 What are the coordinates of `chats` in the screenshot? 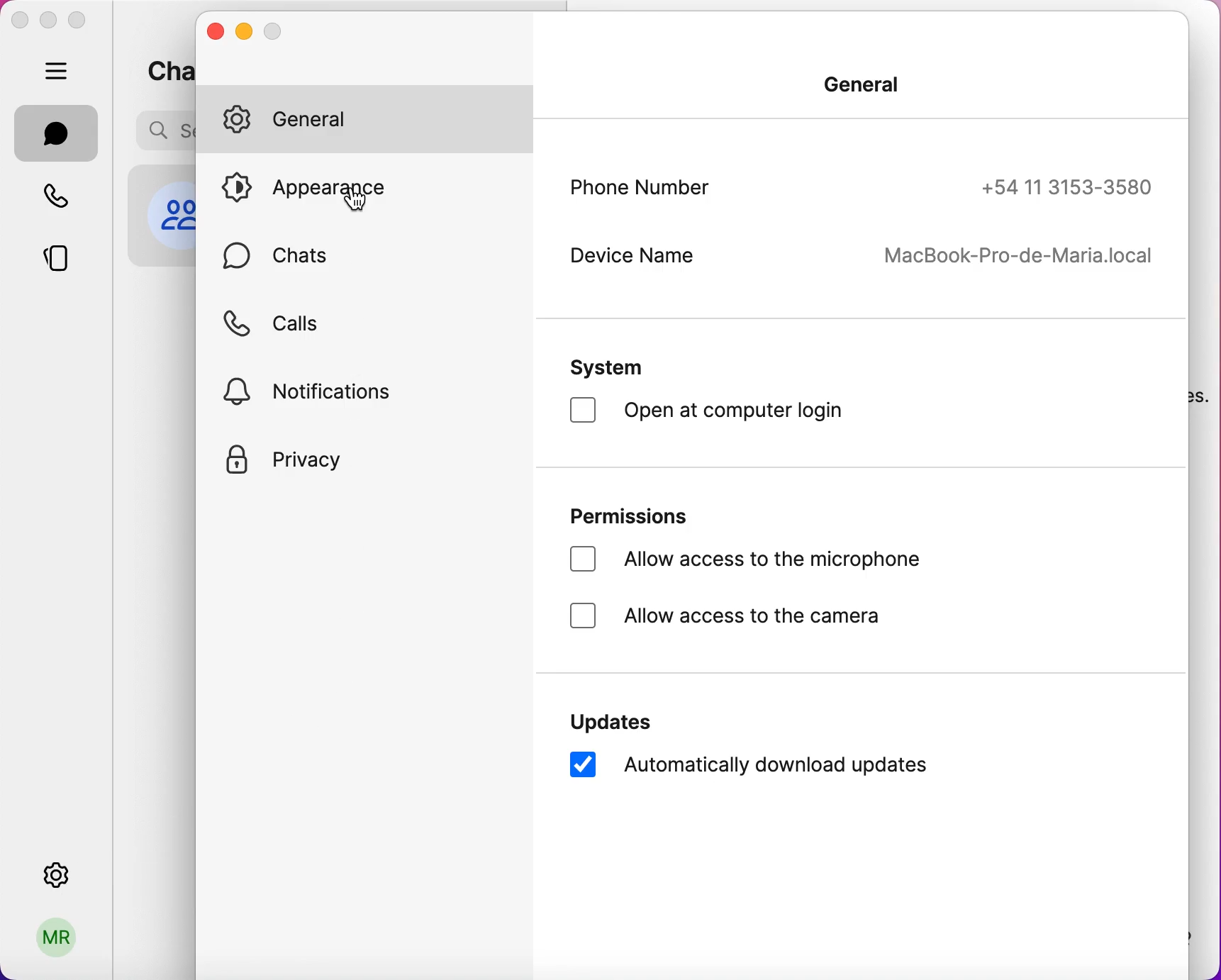 It's located at (53, 130).